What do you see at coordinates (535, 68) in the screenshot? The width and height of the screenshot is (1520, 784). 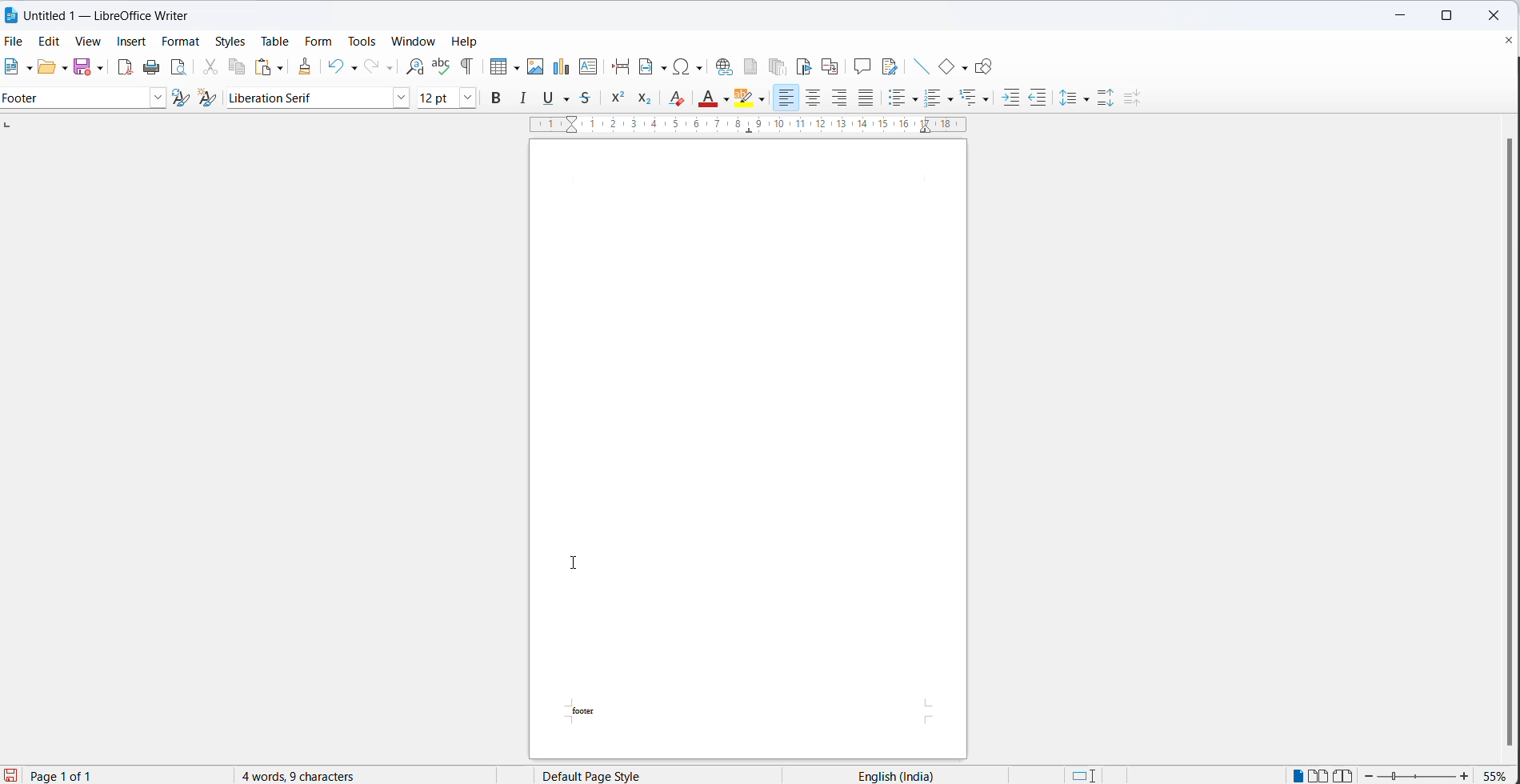 I see `insert images` at bounding box center [535, 68].